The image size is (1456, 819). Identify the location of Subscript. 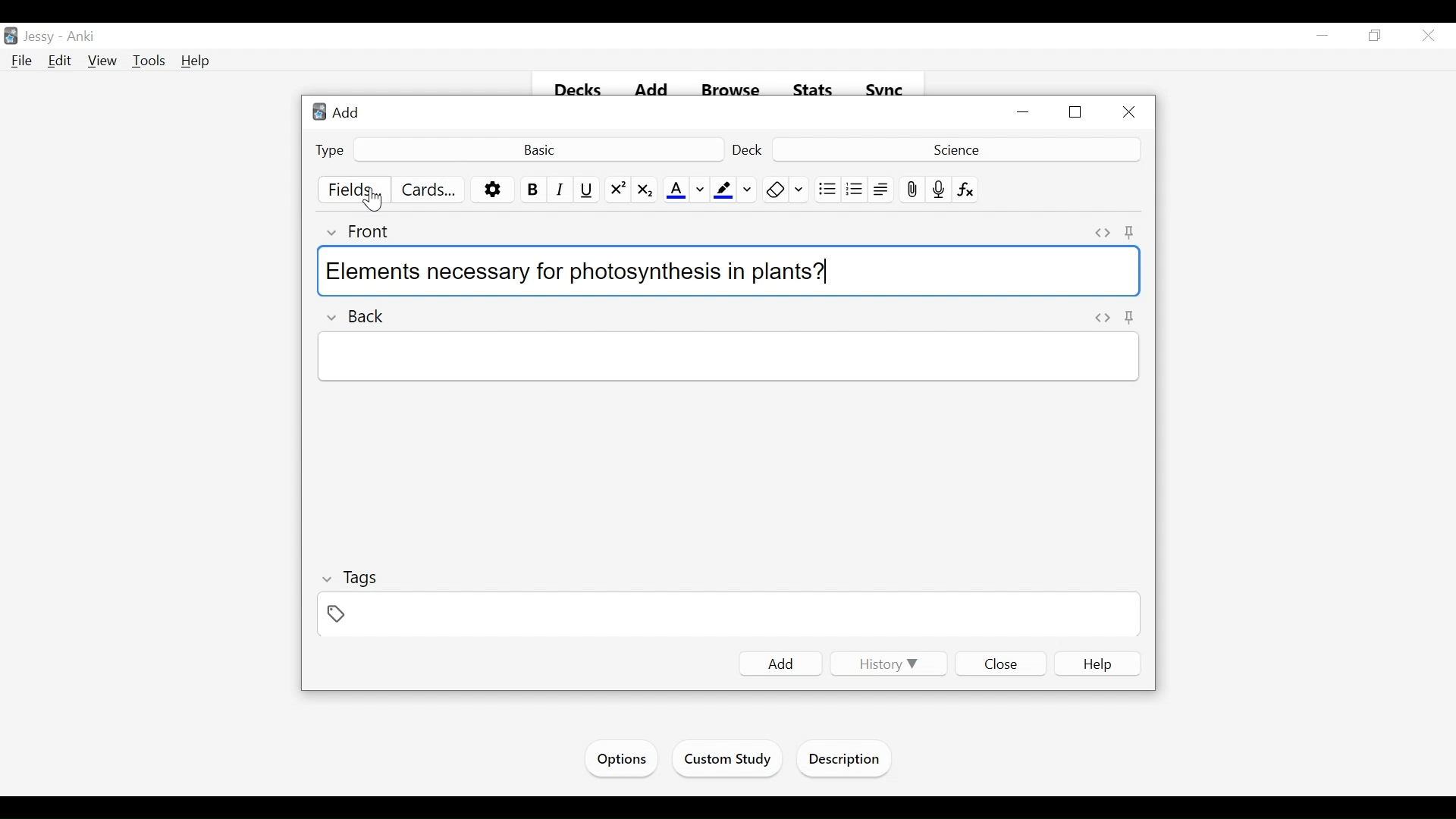
(644, 190).